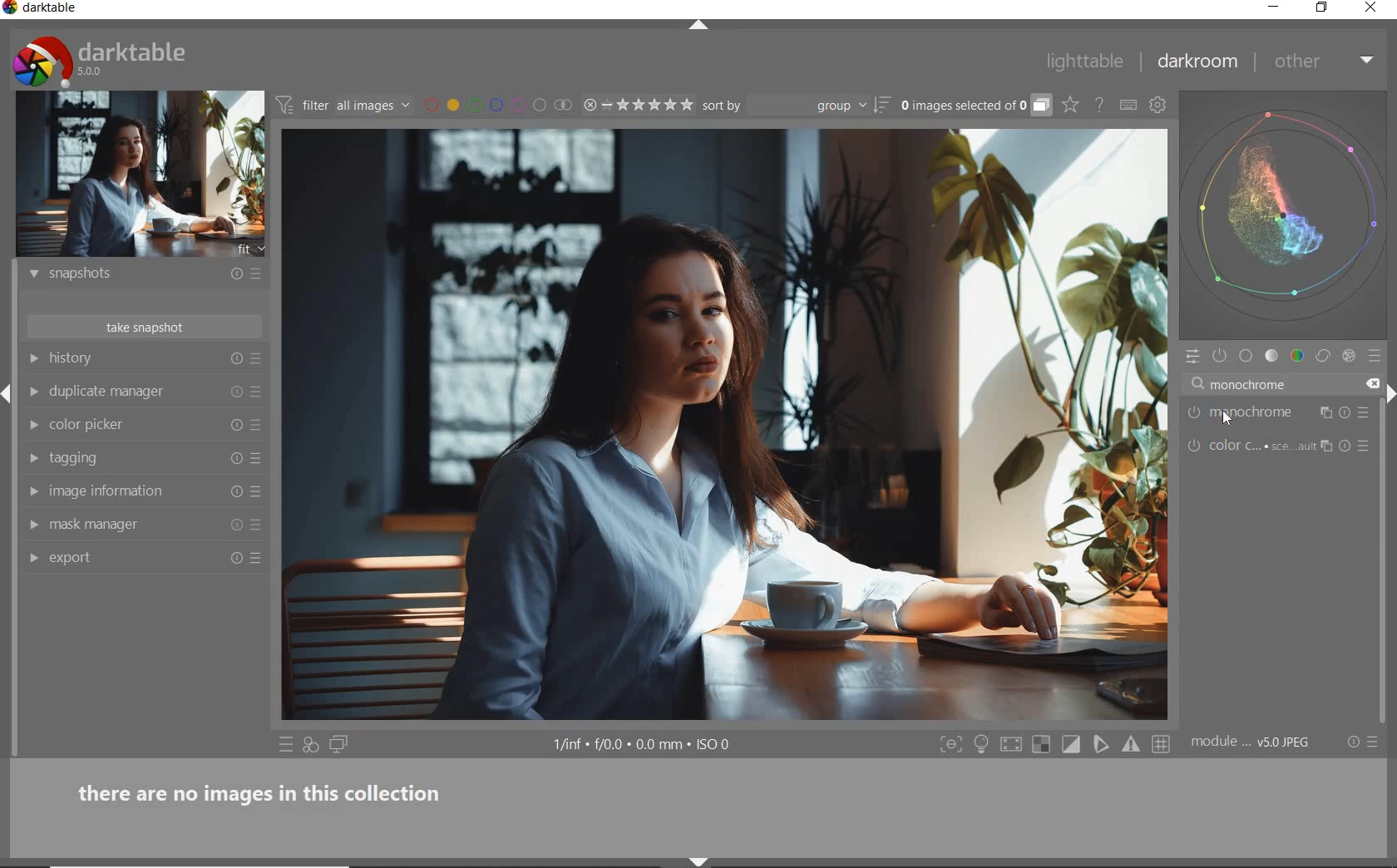 The width and height of the screenshot is (1397, 868). I want to click on toggle softproofing, so click(1103, 747).